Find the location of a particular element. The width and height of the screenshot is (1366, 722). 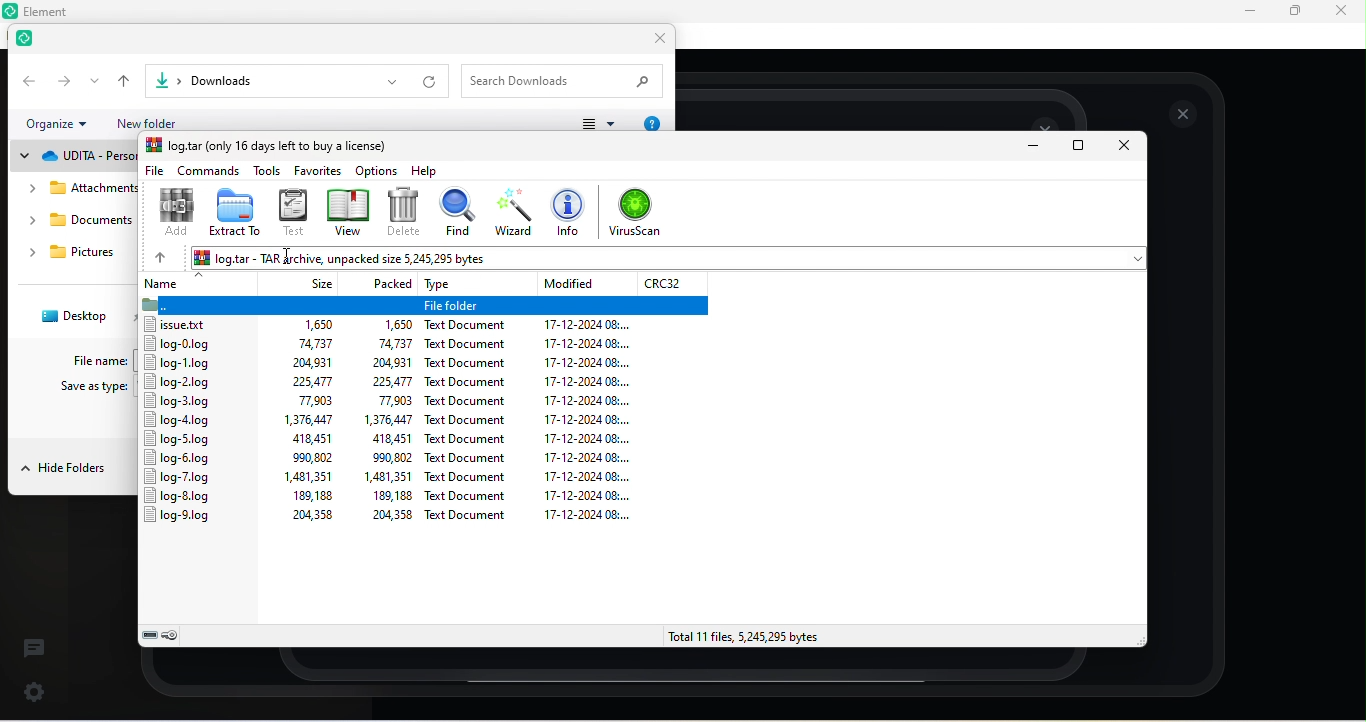

418,451 is located at coordinates (310, 438).